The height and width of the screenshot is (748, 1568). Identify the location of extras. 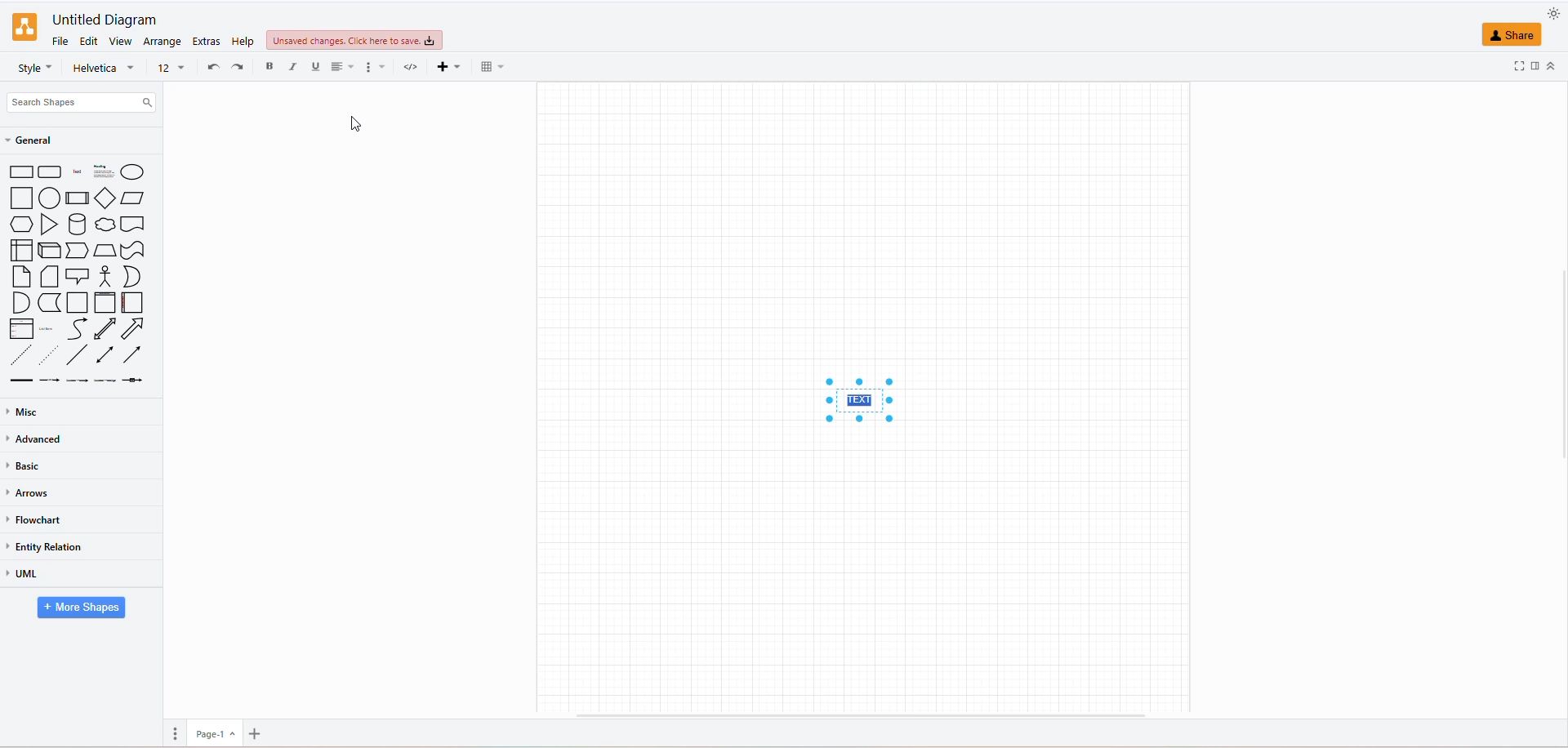
(207, 42).